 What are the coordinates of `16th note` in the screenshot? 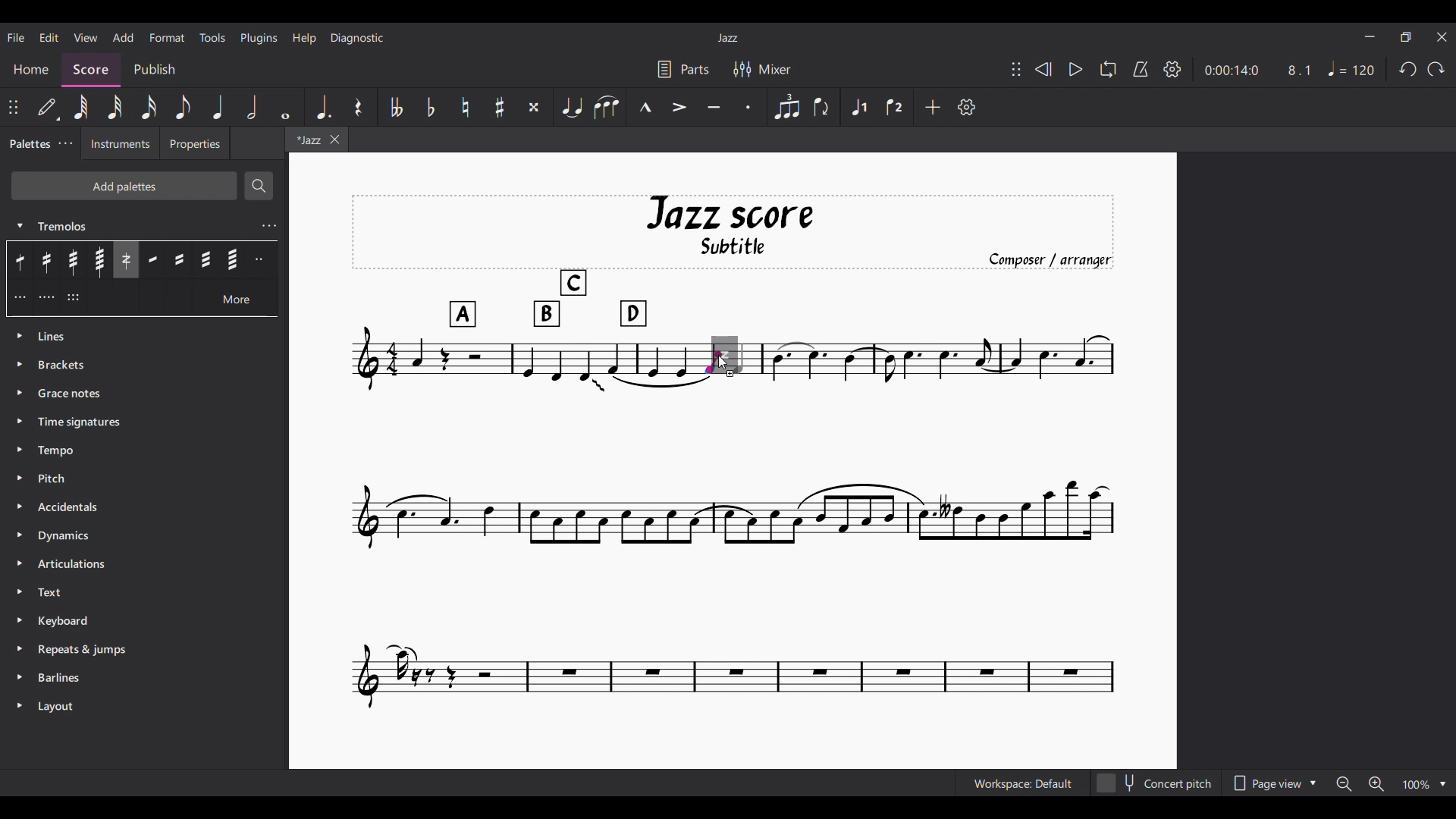 It's located at (148, 107).